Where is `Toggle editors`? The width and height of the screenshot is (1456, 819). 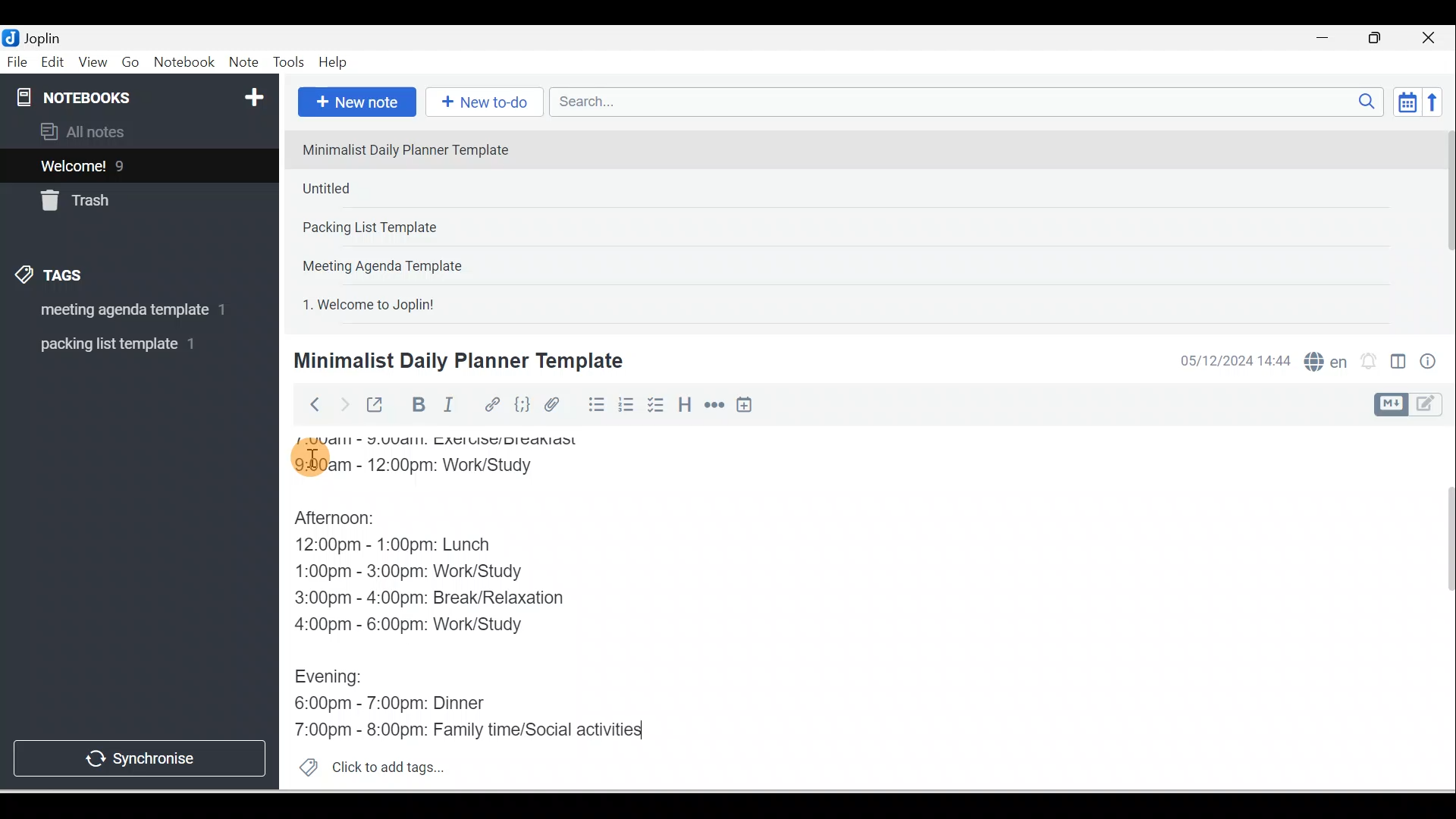
Toggle editors is located at coordinates (1398, 364).